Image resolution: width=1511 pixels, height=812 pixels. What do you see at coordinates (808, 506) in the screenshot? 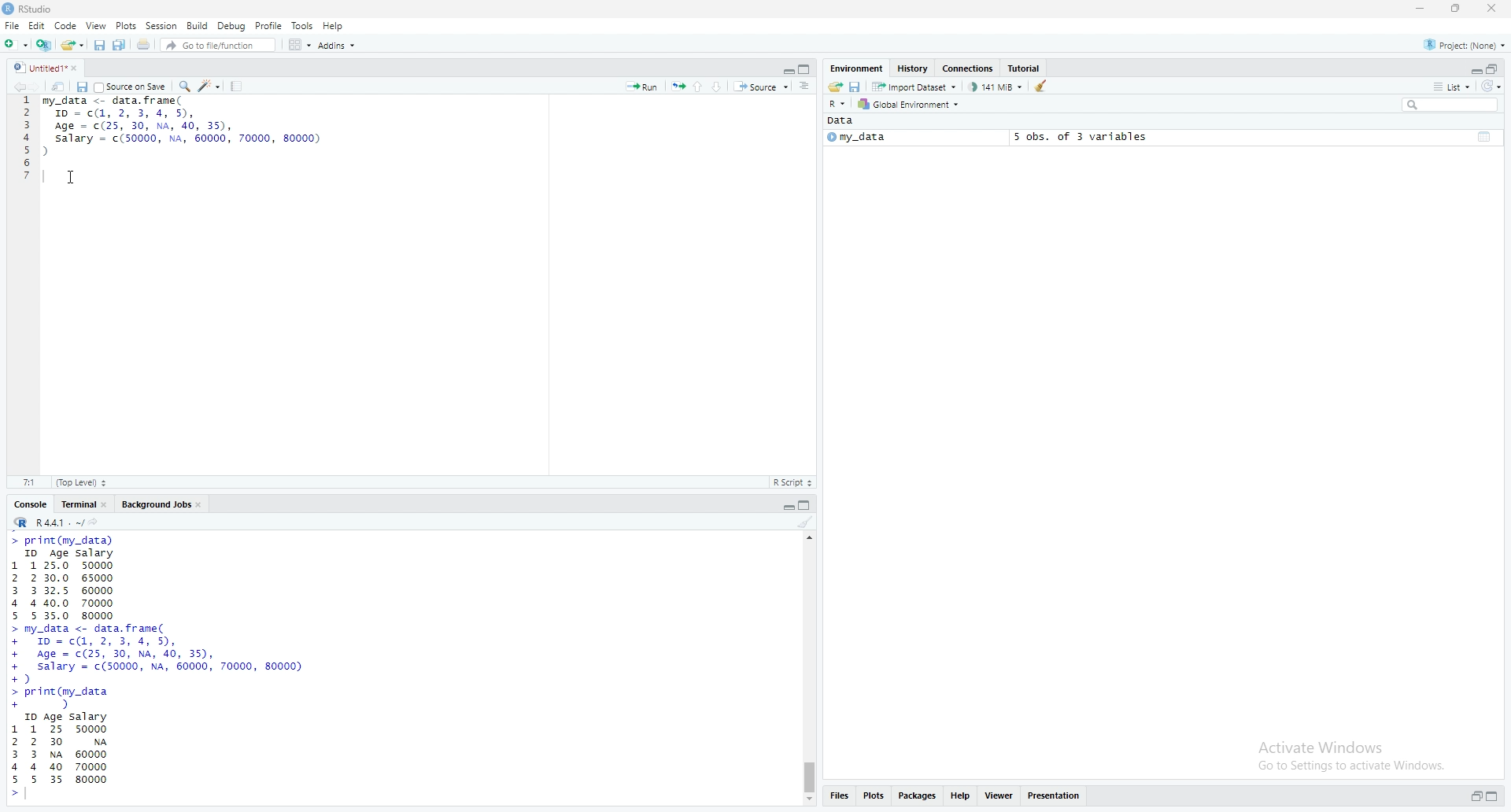
I see `collapse` at bounding box center [808, 506].